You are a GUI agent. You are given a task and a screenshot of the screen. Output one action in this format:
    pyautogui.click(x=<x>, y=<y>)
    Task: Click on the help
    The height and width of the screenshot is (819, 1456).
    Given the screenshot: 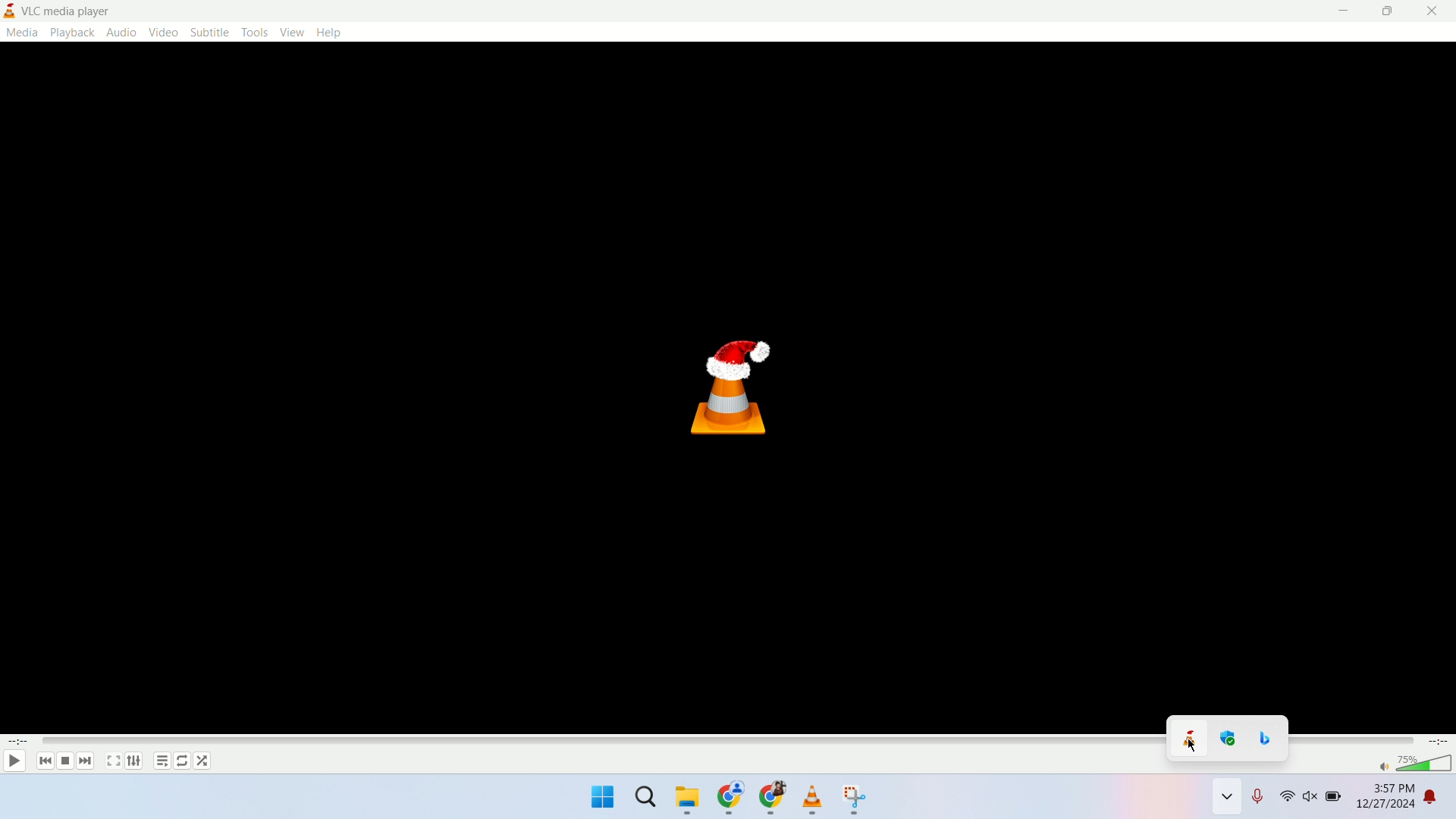 What is the action you would take?
    pyautogui.click(x=328, y=32)
    